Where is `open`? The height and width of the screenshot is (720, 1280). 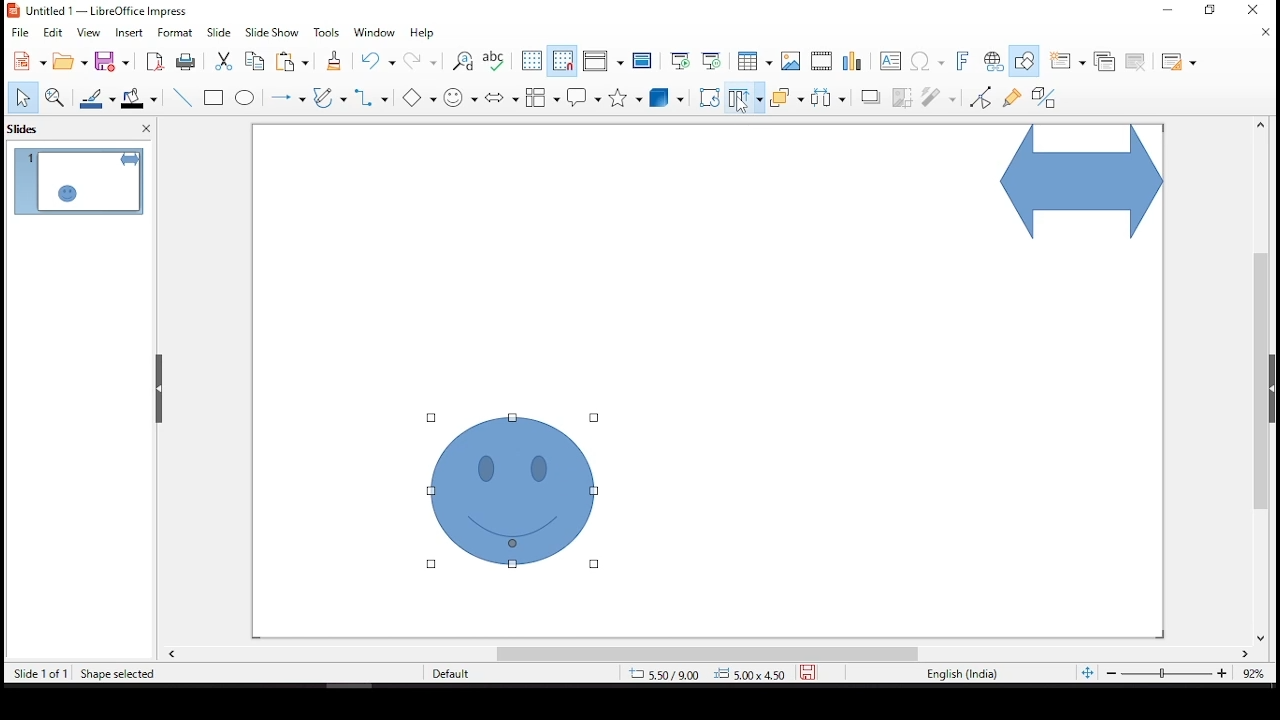
open is located at coordinates (70, 61).